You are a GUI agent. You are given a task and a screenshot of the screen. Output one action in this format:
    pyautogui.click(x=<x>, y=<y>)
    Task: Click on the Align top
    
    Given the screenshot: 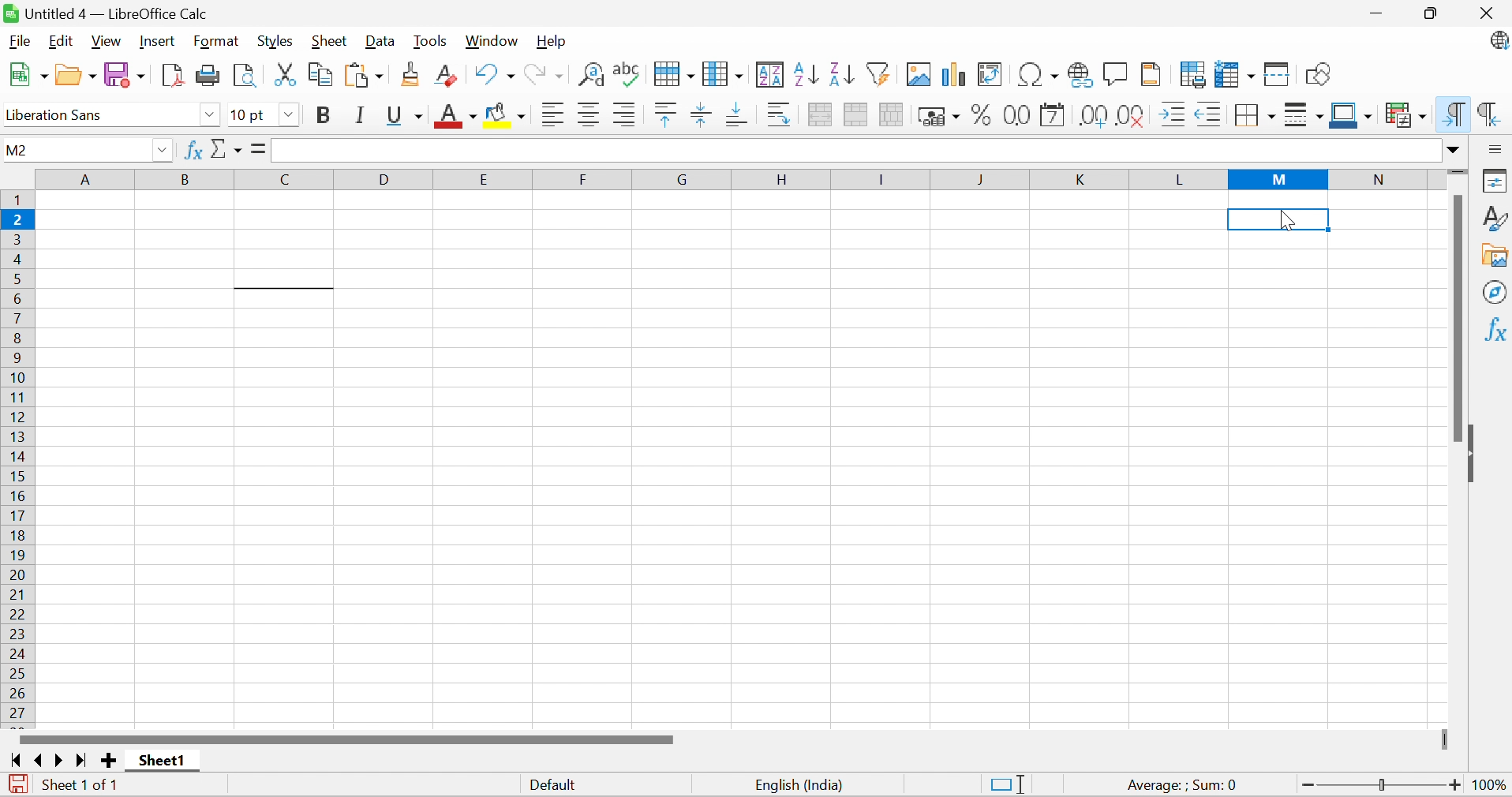 What is the action you would take?
    pyautogui.click(x=666, y=115)
    